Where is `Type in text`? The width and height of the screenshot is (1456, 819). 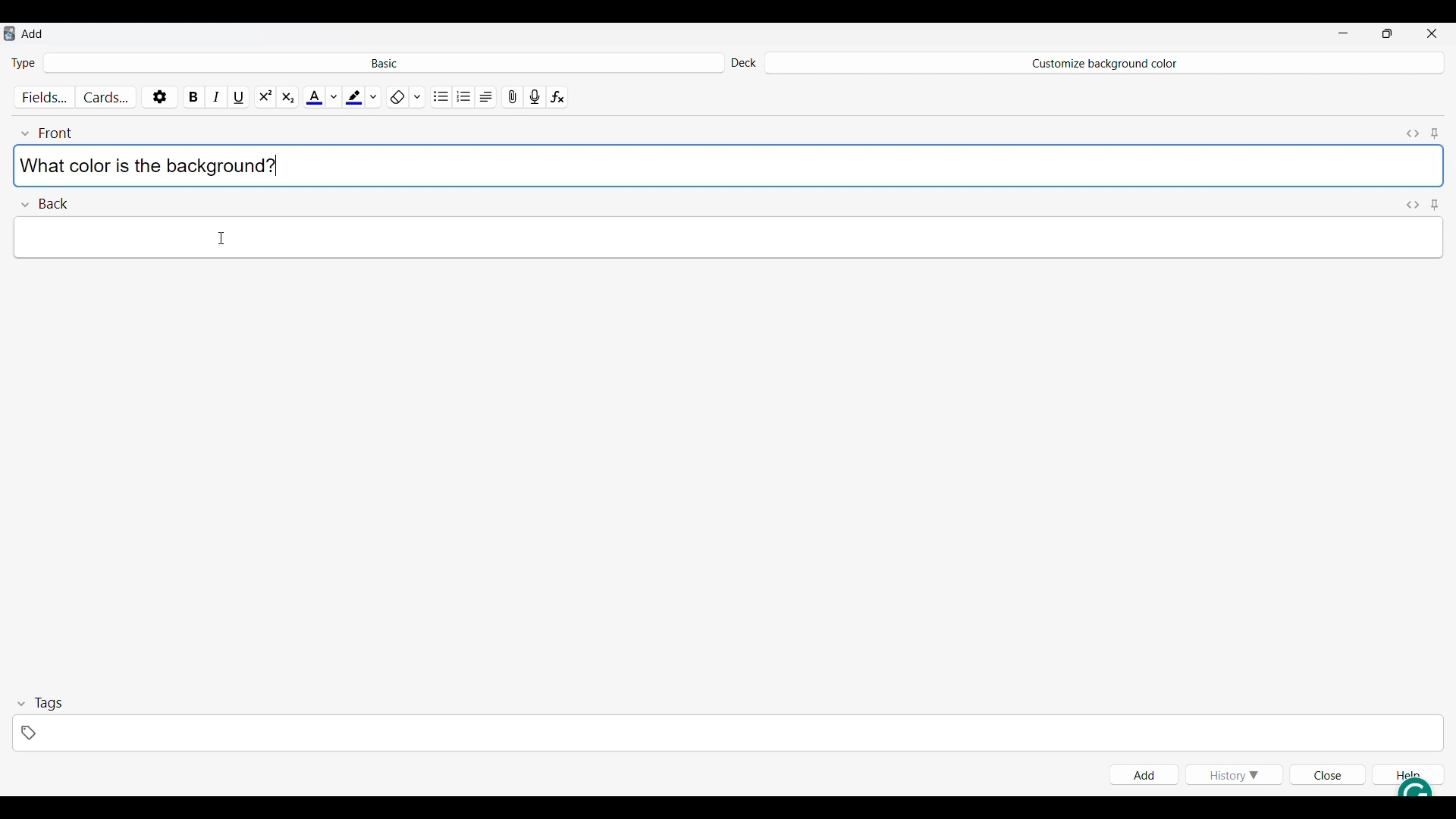
Type in text is located at coordinates (726, 234).